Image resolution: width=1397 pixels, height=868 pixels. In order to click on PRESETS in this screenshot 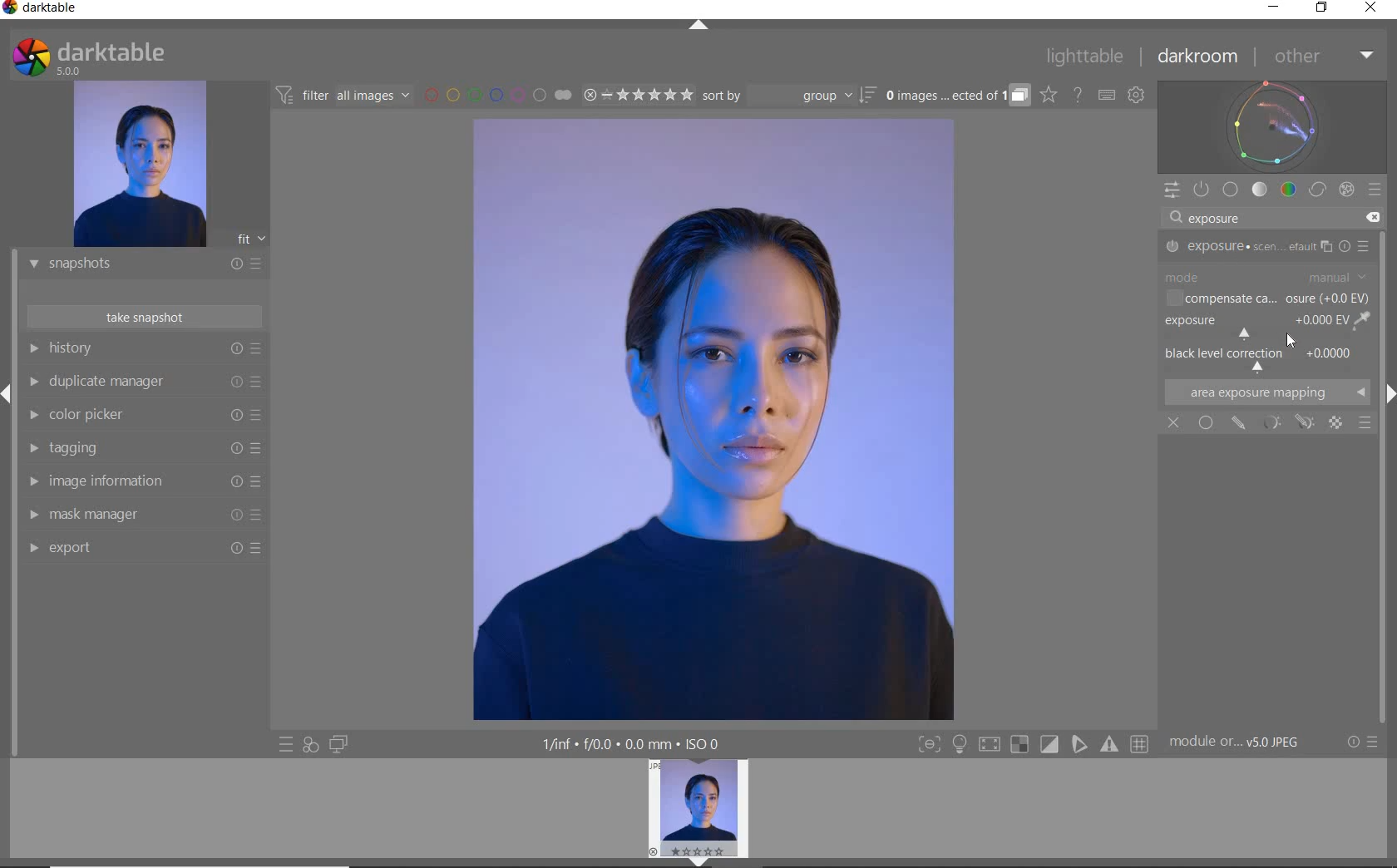, I will do `click(1375, 189)`.